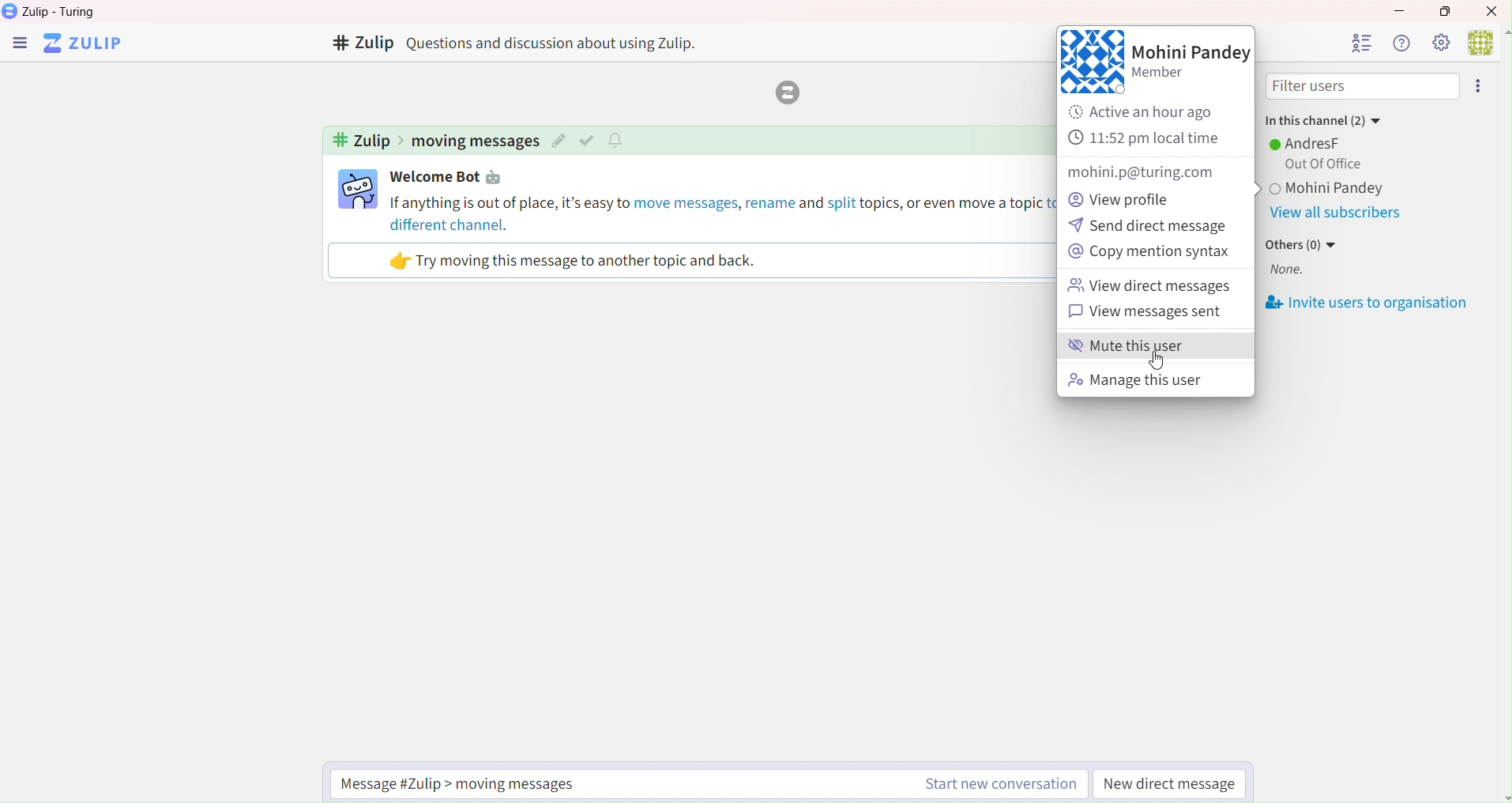 The image size is (1512, 803). I want to click on mohini.p@turing.com, so click(1138, 172).